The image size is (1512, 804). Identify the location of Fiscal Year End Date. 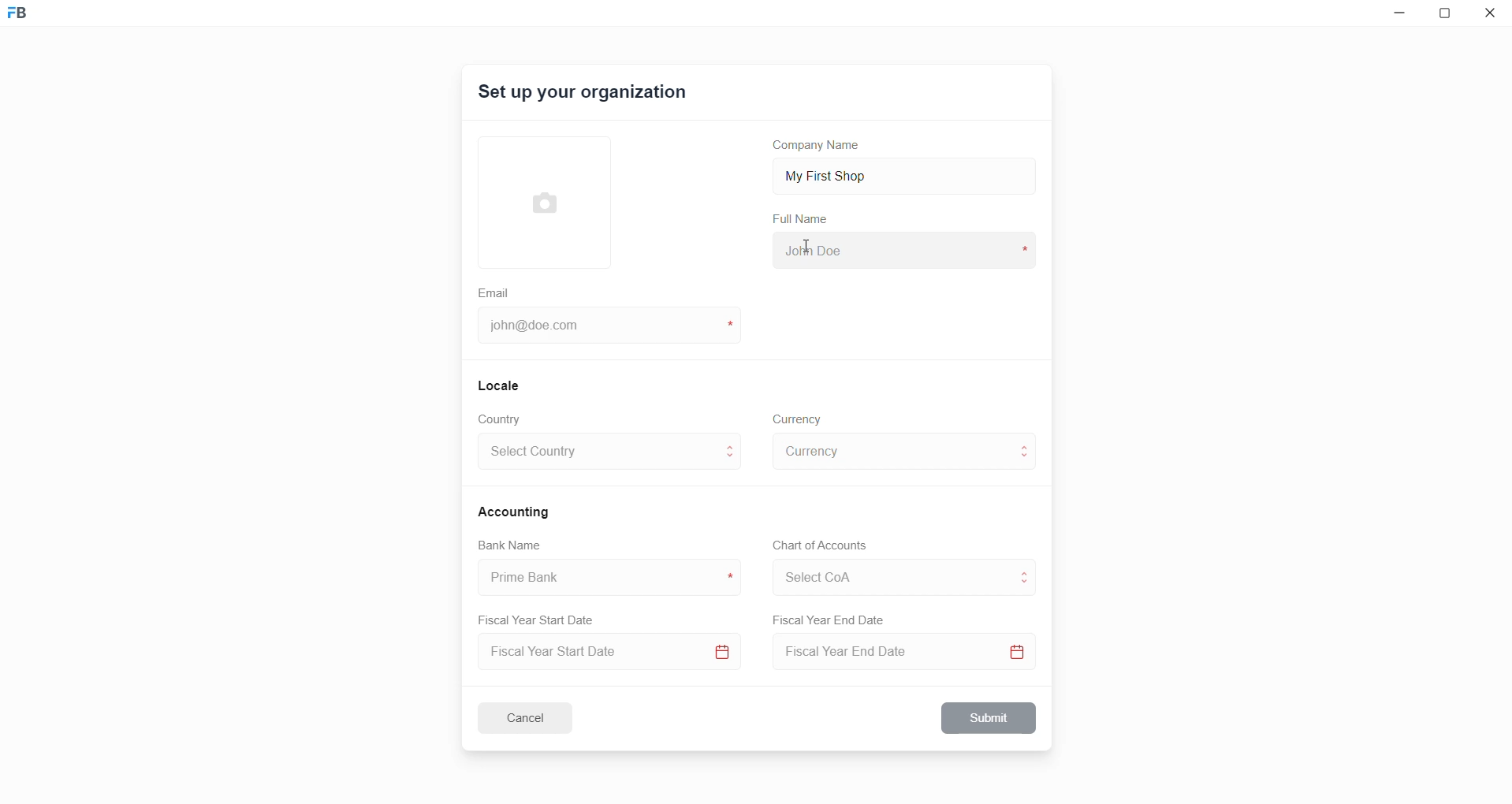
(830, 620).